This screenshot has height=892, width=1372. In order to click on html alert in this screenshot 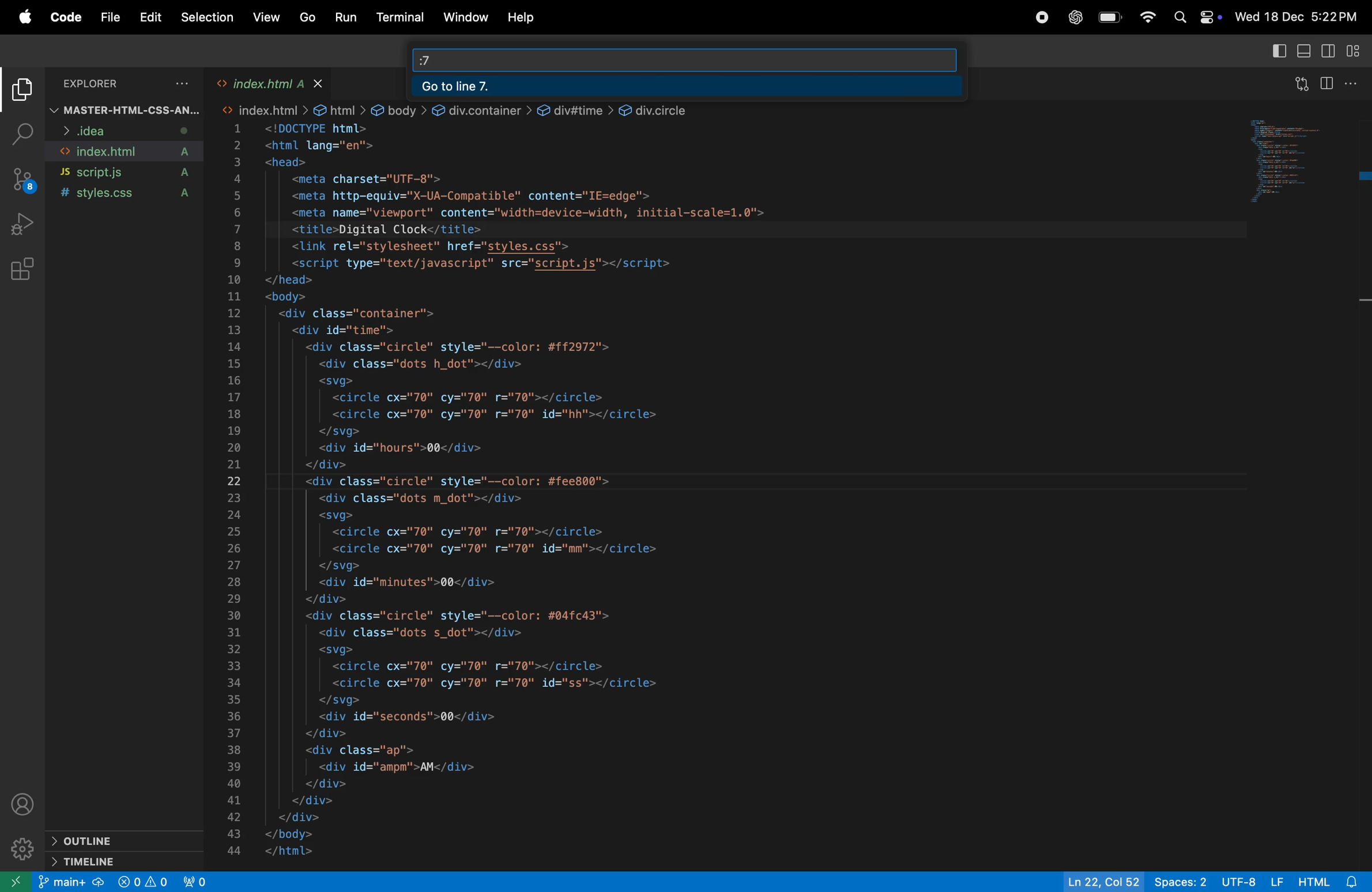, I will do `click(1333, 880)`.